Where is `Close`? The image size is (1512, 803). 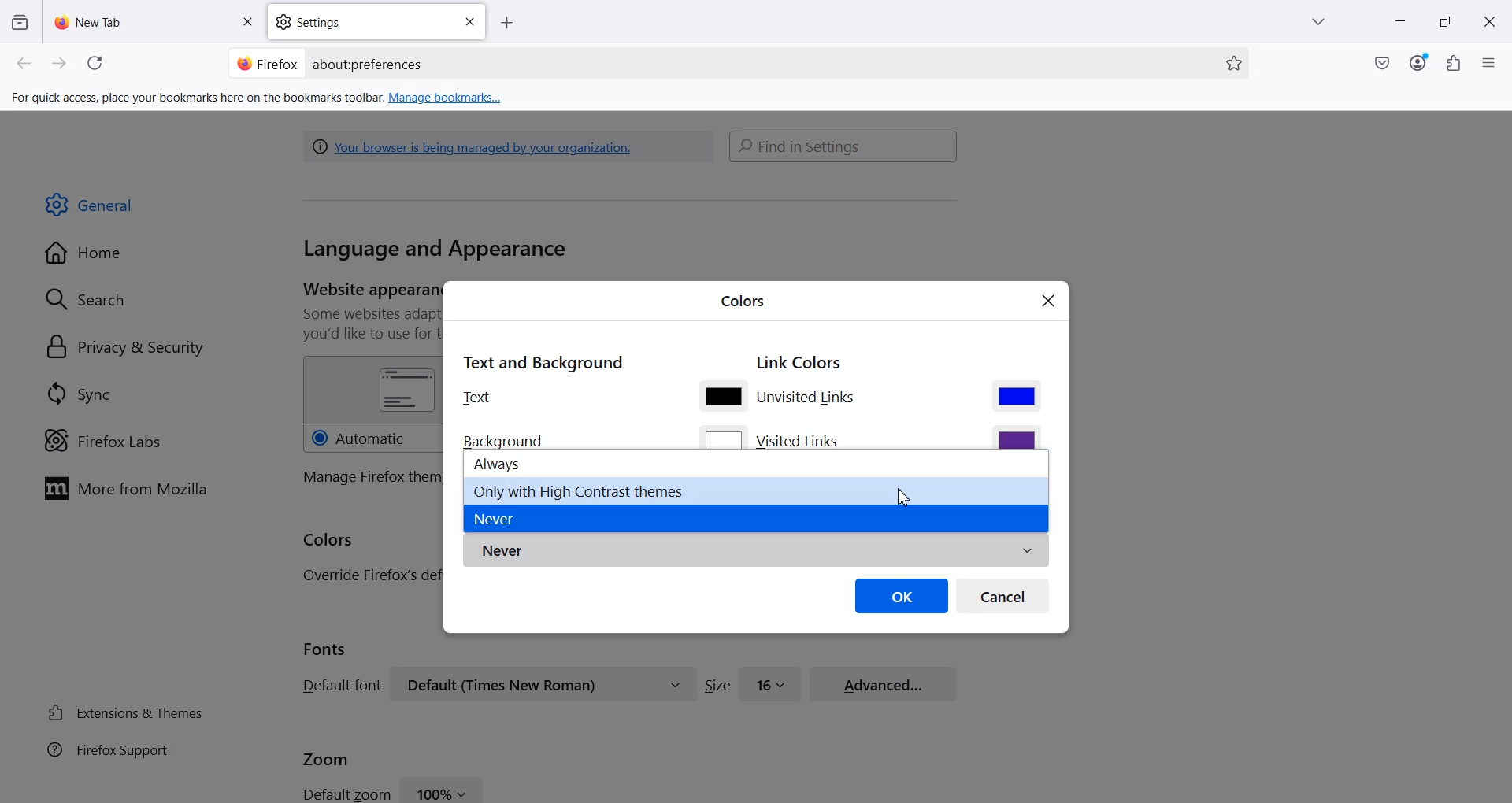 Close is located at coordinates (246, 23).